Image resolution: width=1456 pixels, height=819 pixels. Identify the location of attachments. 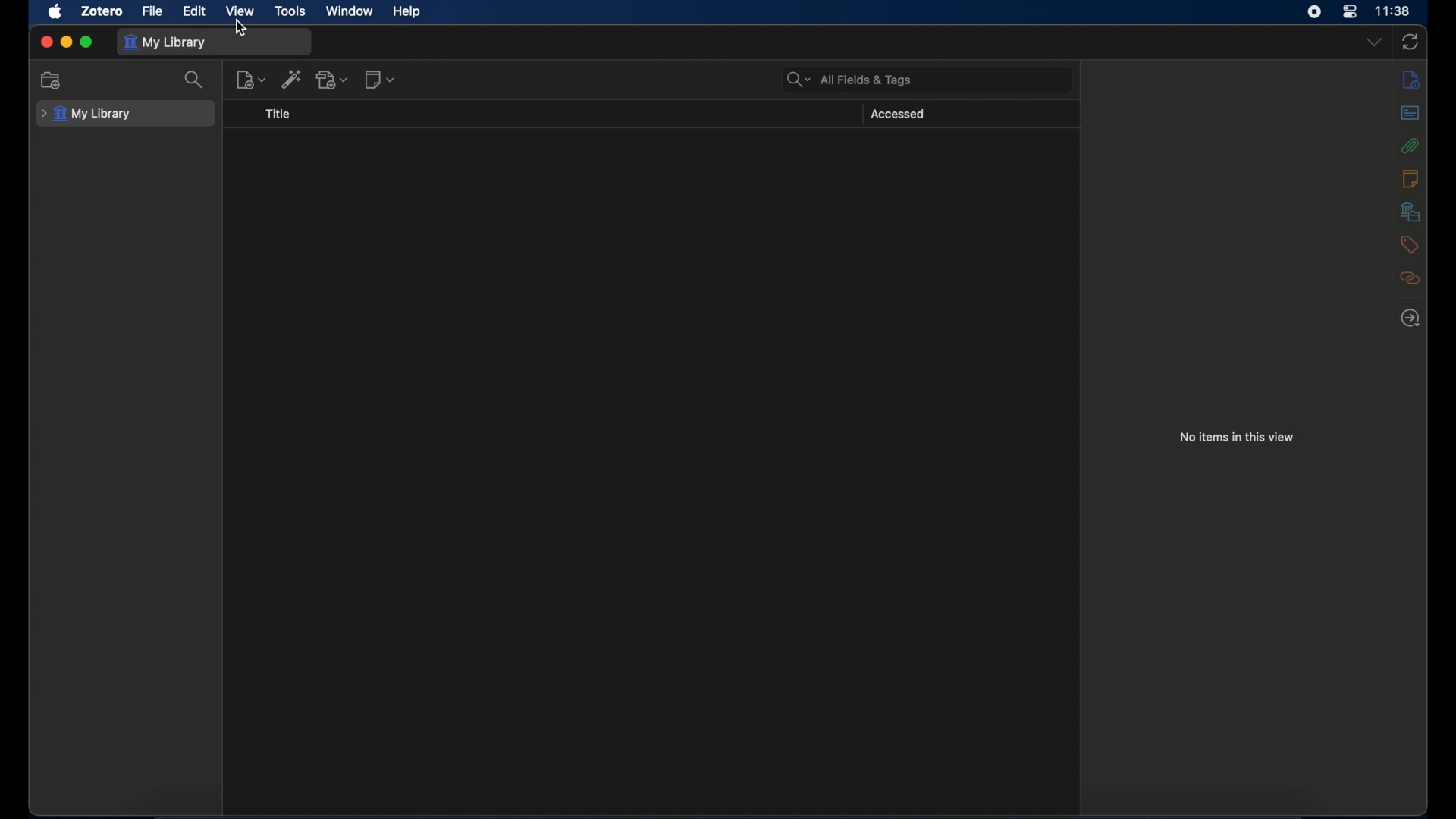
(1410, 146).